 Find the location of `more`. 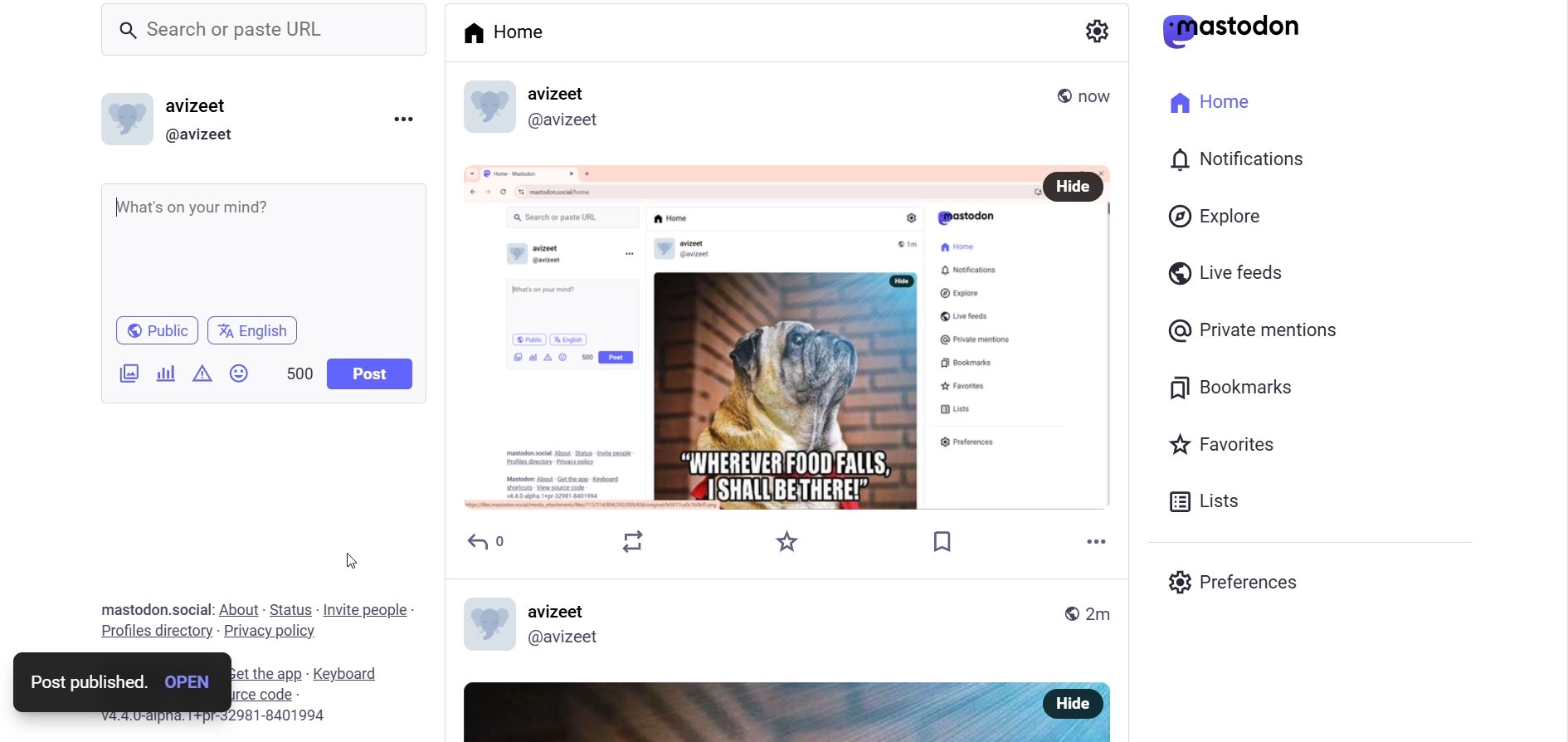

more is located at coordinates (404, 118).